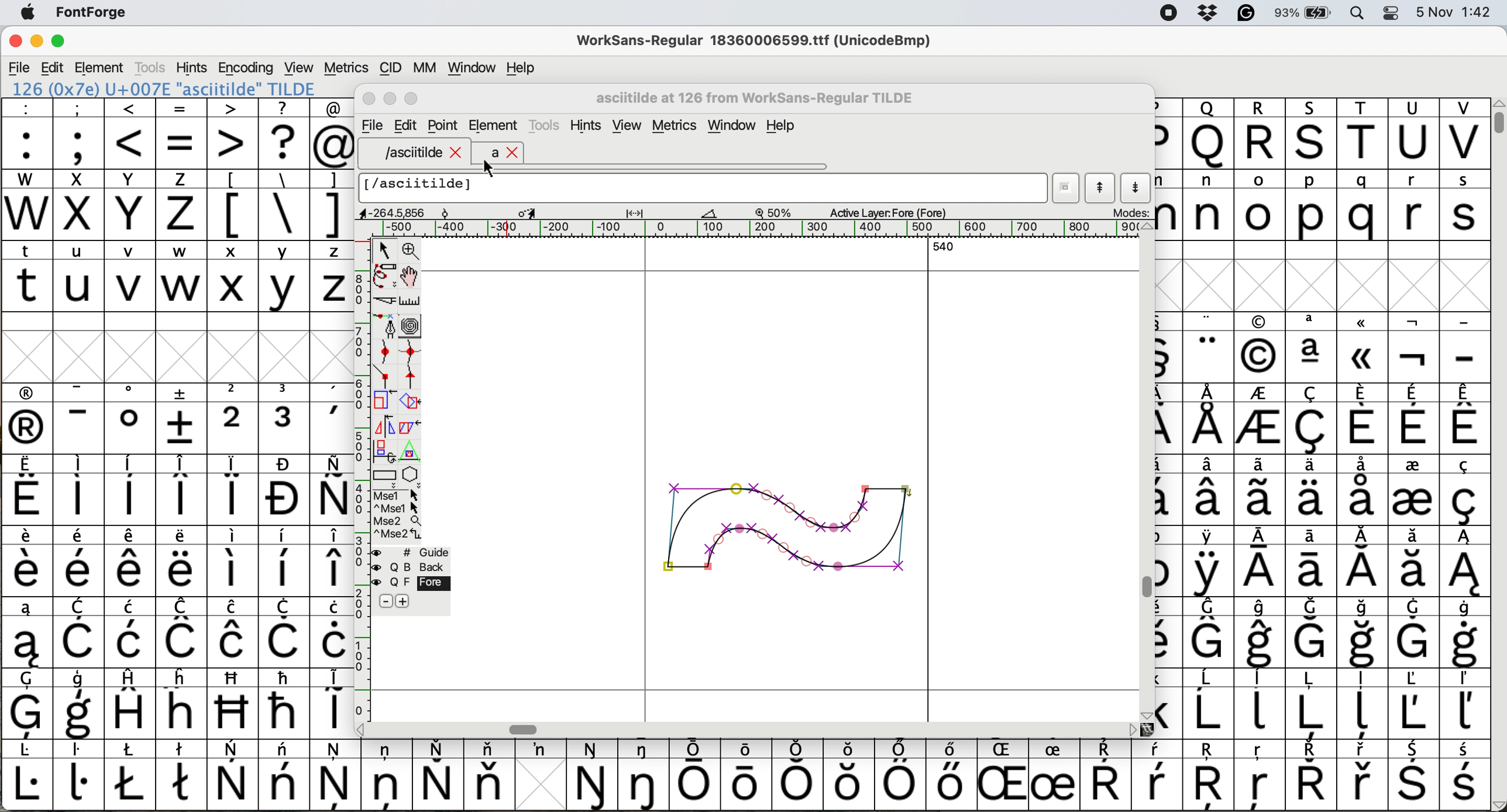  Describe the element at coordinates (1210, 419) in the screenshot. I see `symbol` at that location.